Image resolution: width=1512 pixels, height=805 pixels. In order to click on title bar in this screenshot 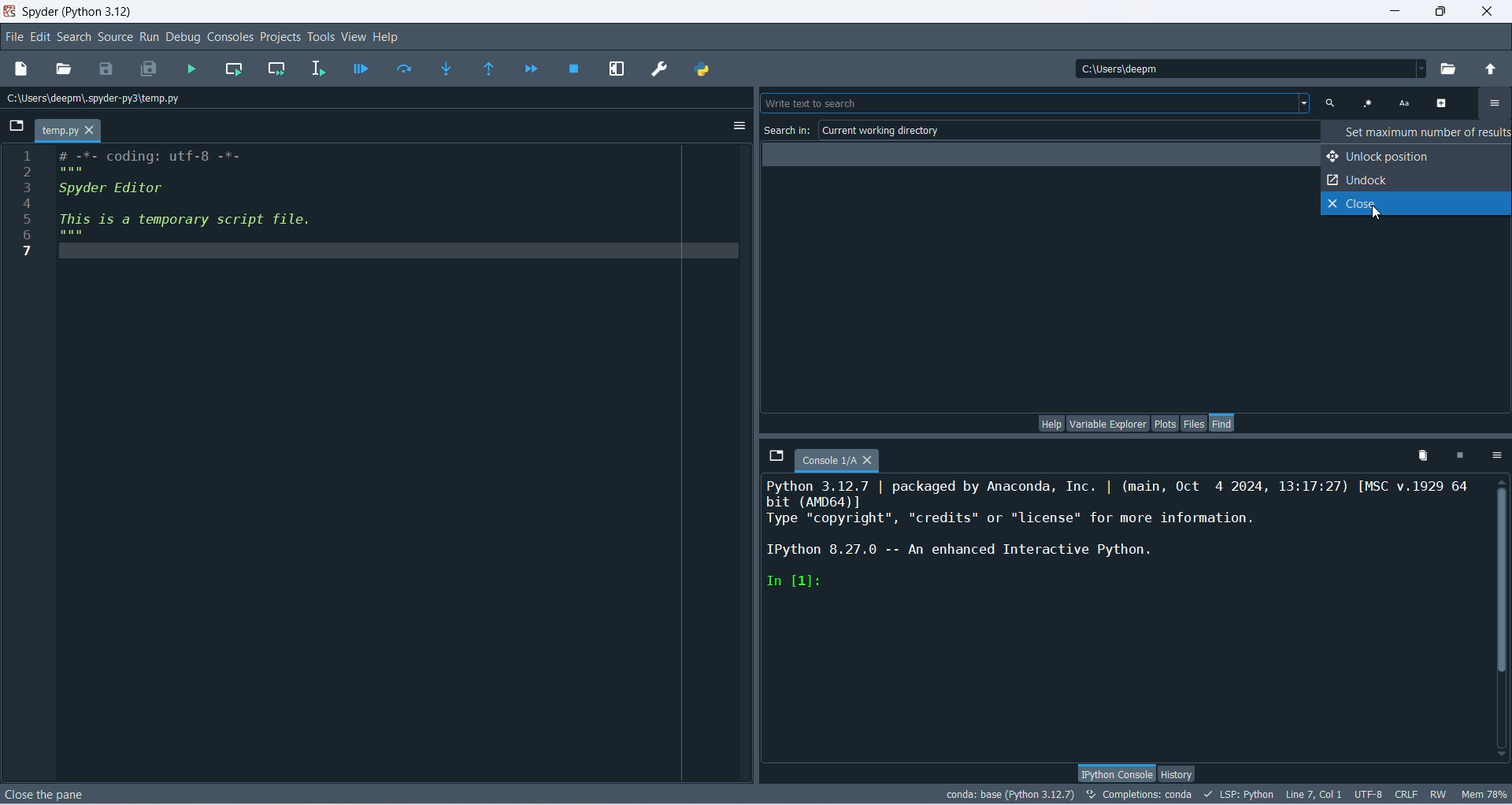, I will do `click(77, 10)`.